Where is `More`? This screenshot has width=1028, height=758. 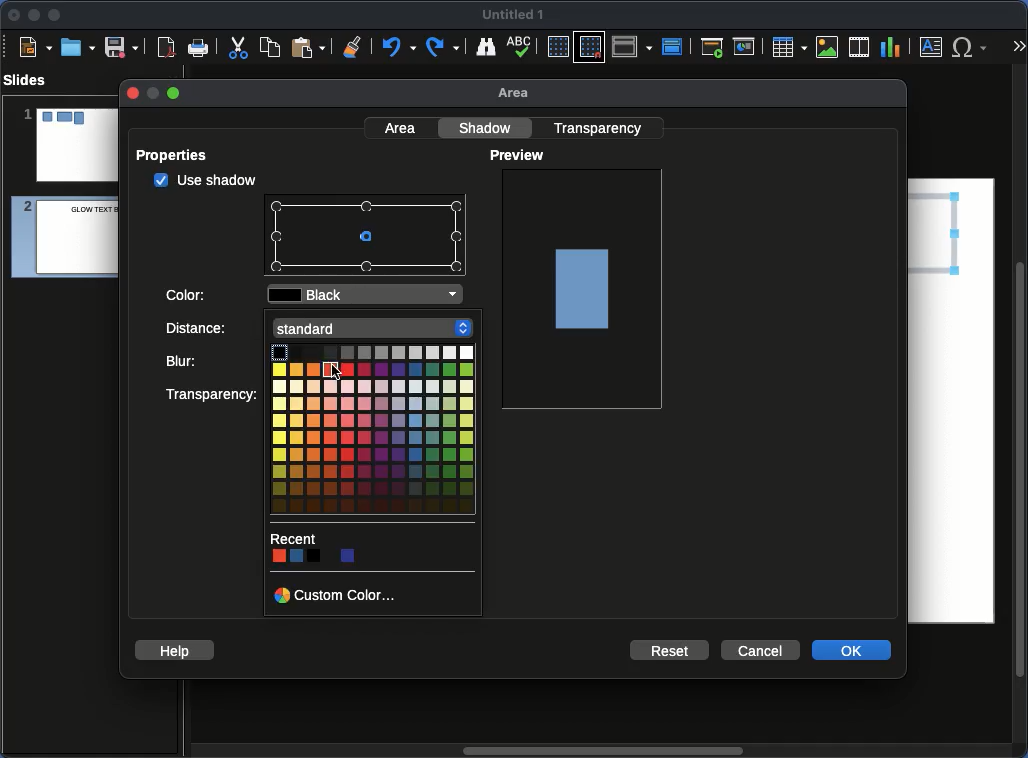
More is located at coordinates (1018, 48).